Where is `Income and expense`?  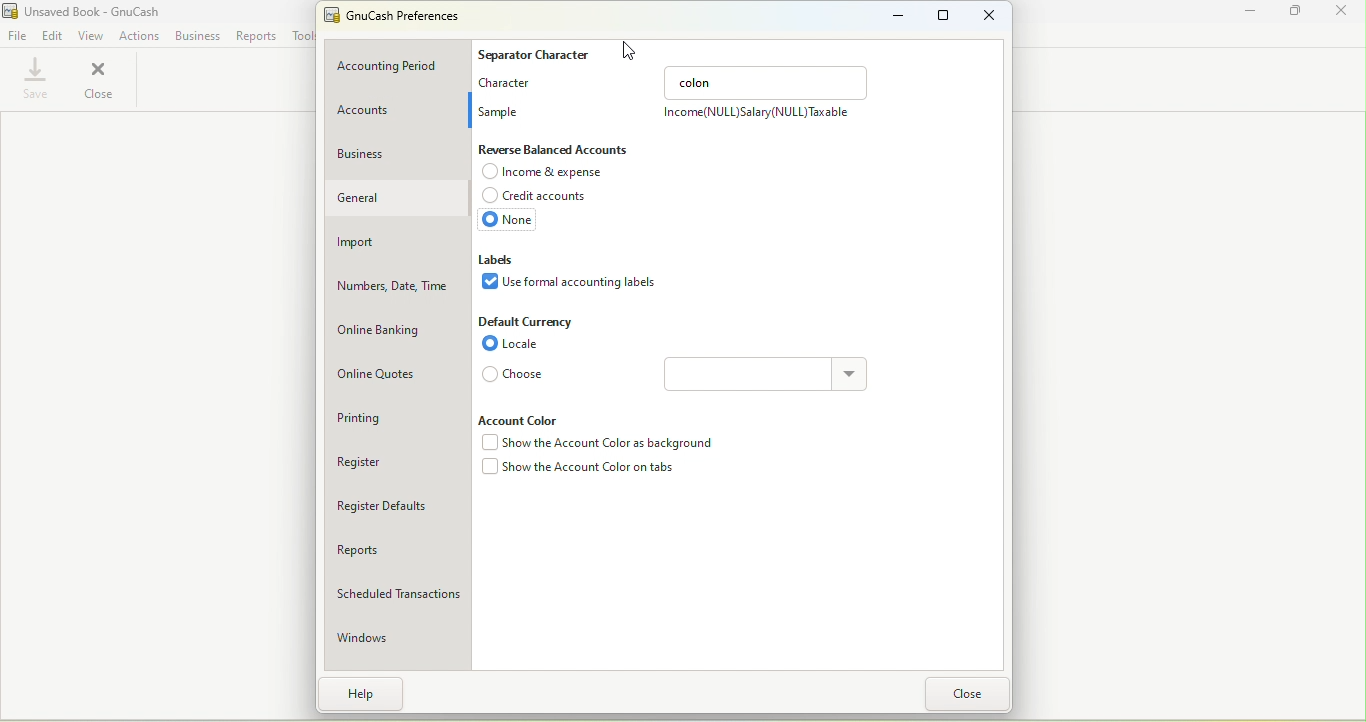 Income and expense is located at coordinates (546, 172).